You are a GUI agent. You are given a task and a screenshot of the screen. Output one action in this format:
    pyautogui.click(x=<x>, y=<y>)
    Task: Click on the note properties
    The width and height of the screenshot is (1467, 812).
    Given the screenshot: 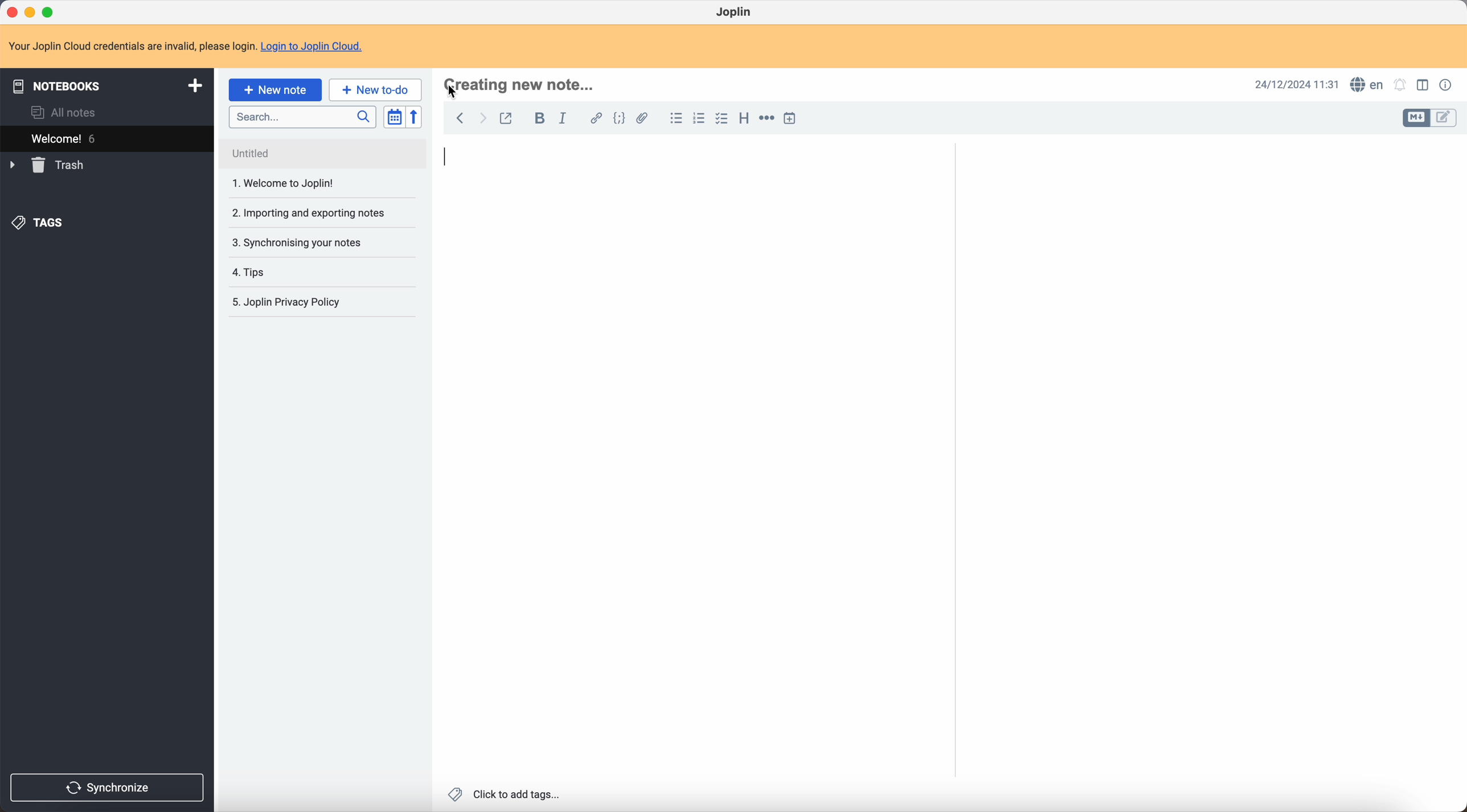 What is the action you would take?
    pyautogui.click(x=1448, y=85)
    